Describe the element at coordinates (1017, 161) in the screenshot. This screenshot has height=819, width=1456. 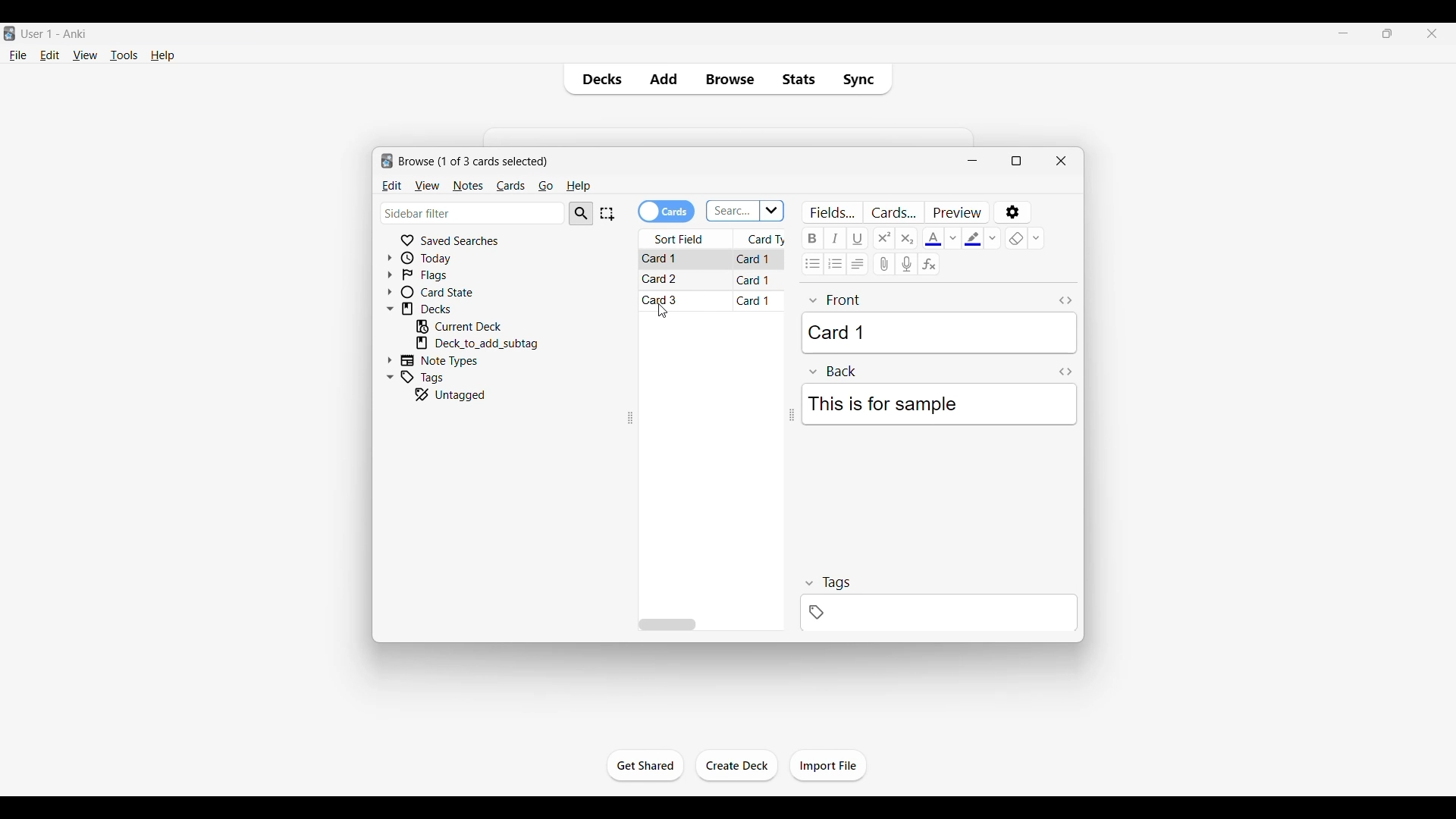
I see `Show window in` at that location.